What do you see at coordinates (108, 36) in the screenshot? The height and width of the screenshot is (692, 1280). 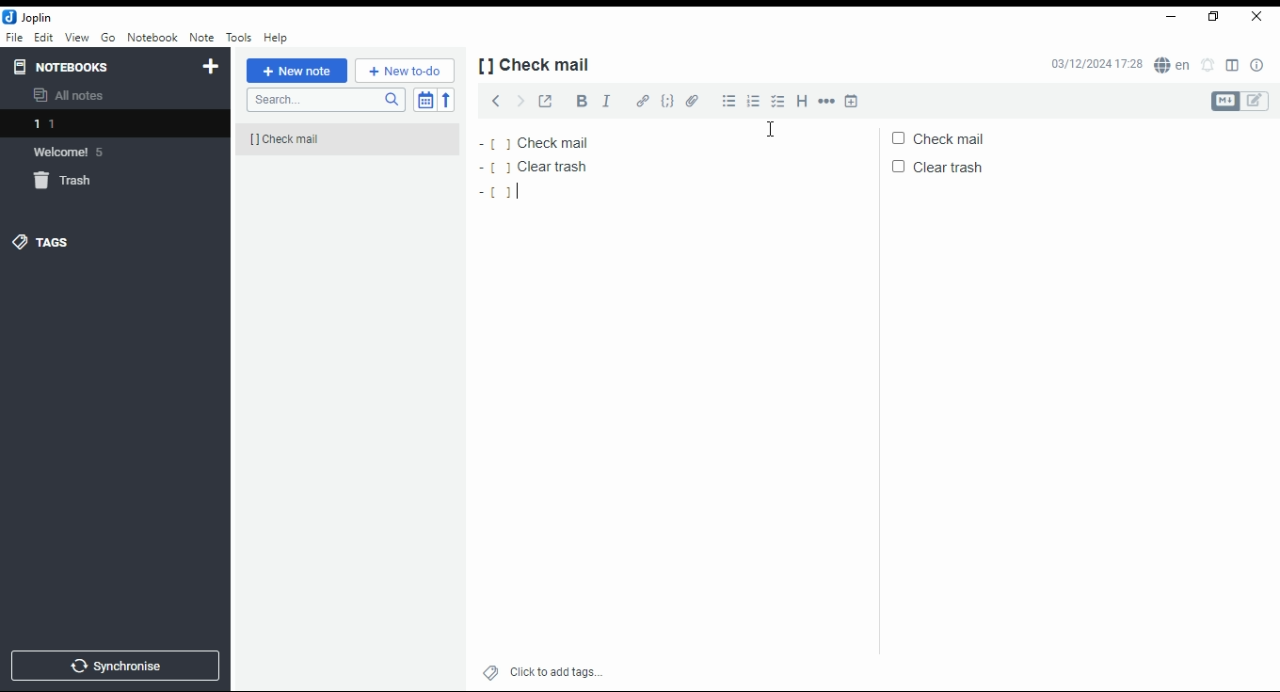 I see `Go` at bounding box center [108, 36].